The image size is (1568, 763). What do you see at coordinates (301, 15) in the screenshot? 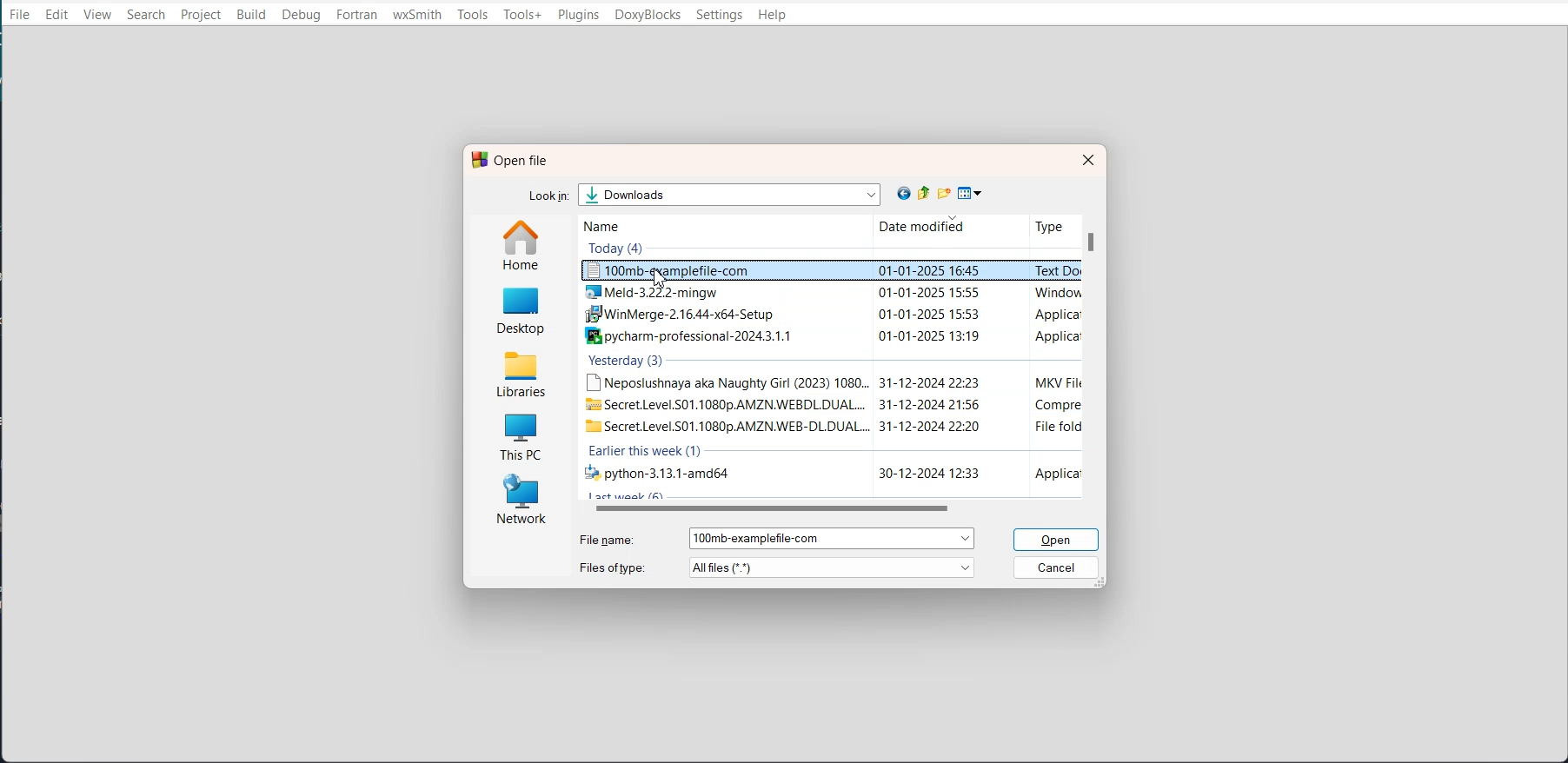
I see `Debug` at bounding box center [301, 15].